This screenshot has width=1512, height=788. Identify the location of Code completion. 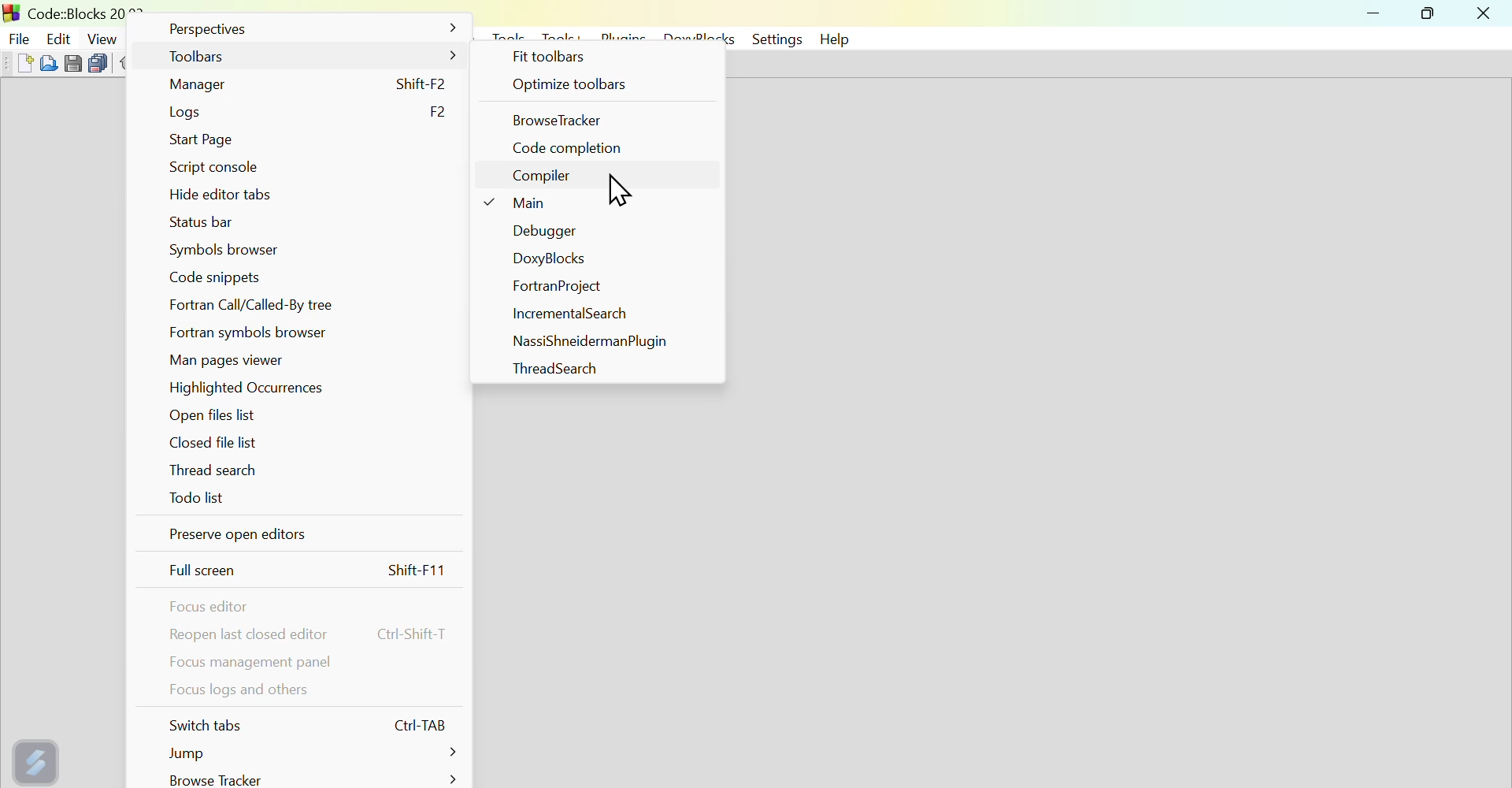
(572, 148).